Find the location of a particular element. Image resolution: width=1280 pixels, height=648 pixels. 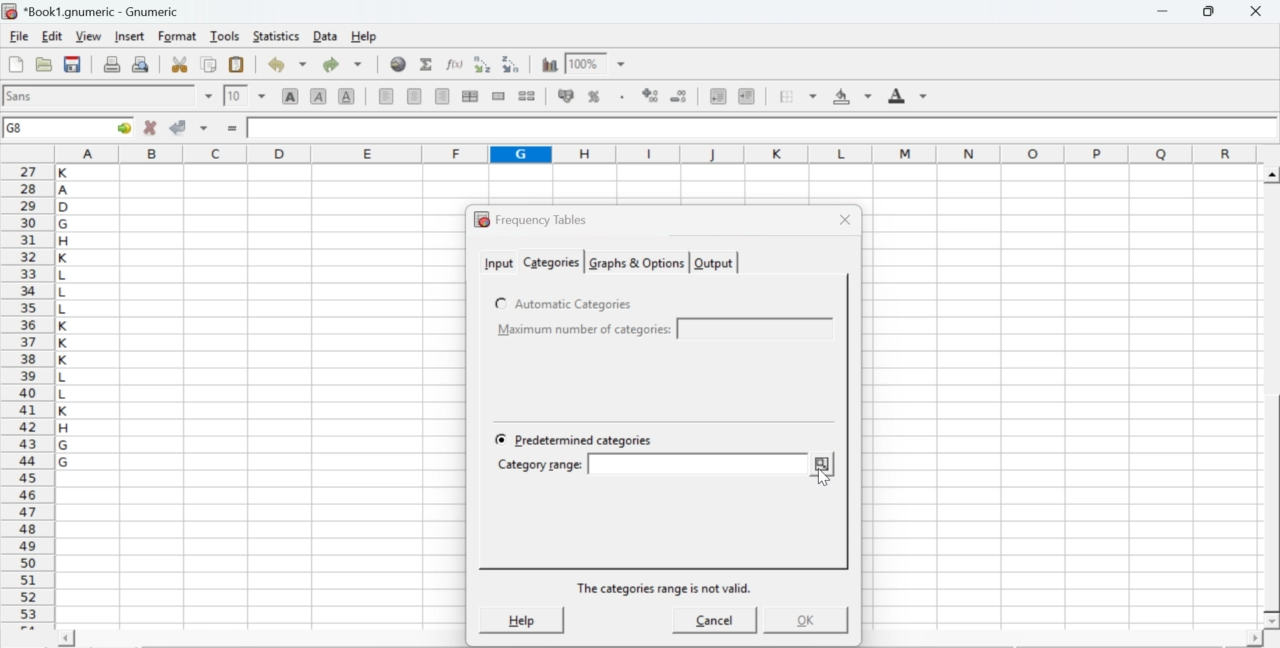

bold is located at coordinates (291, 95).